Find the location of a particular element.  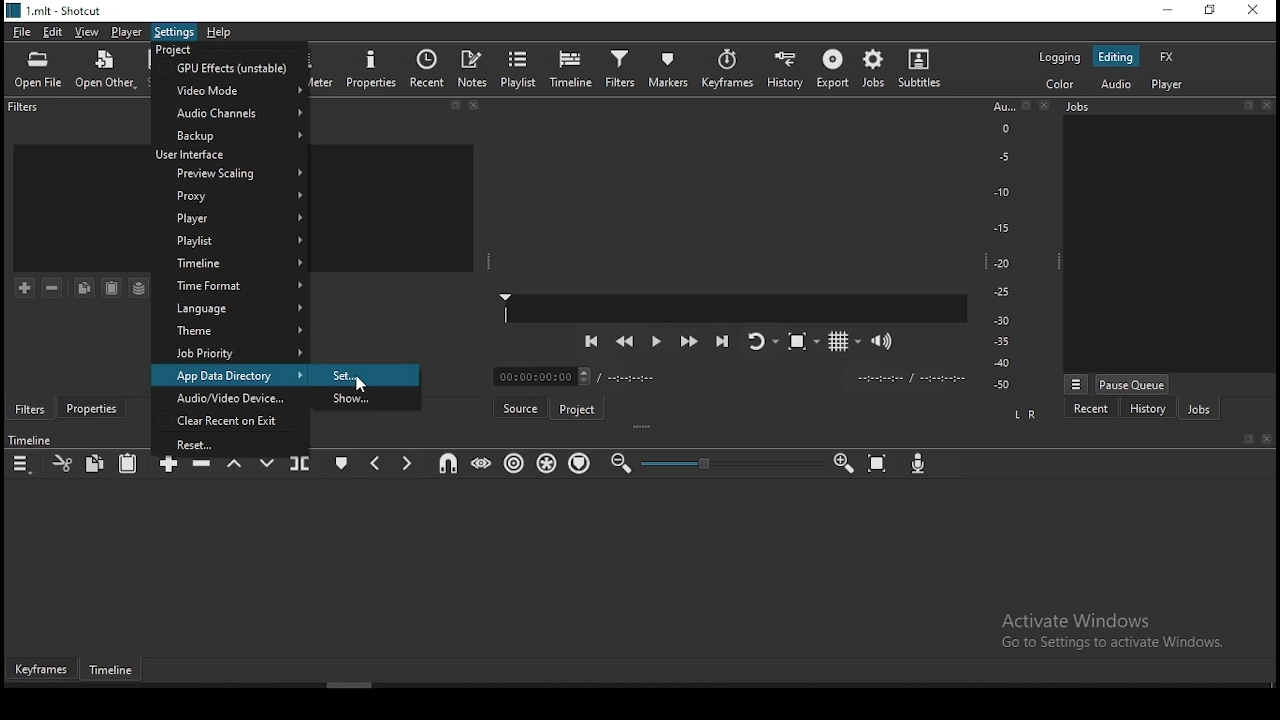

player is located at coordinates (231, 218).